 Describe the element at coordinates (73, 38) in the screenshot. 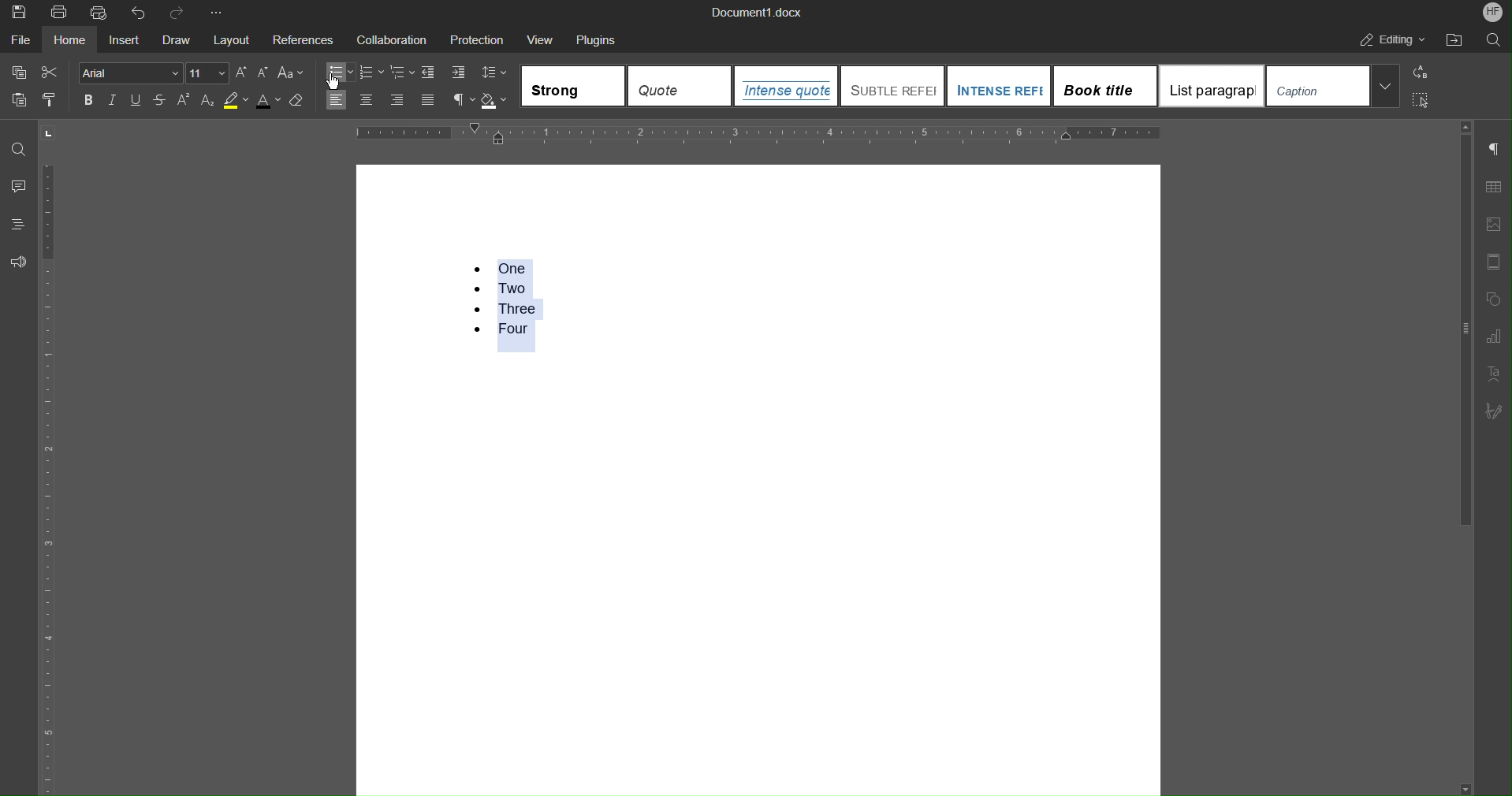

I see `Home` at that location.